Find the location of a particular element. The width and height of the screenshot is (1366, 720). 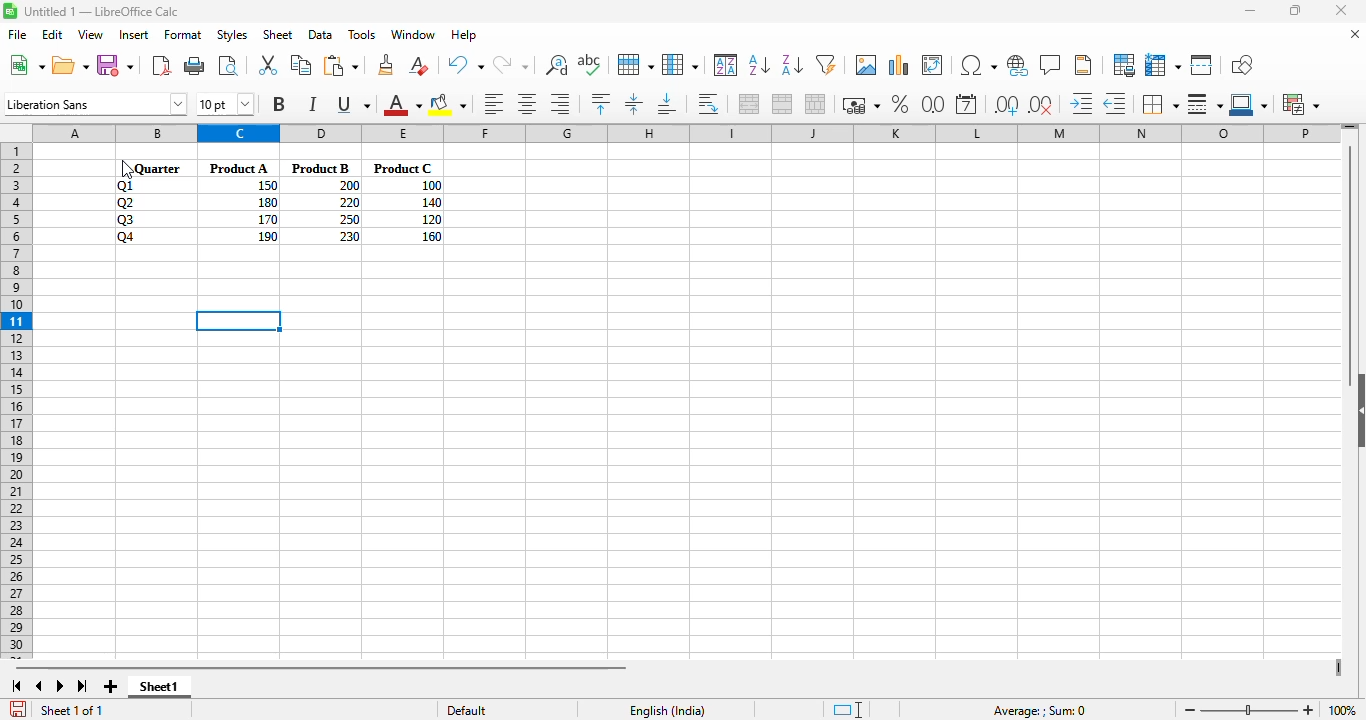

border color is located at coordinates (1251, 104).